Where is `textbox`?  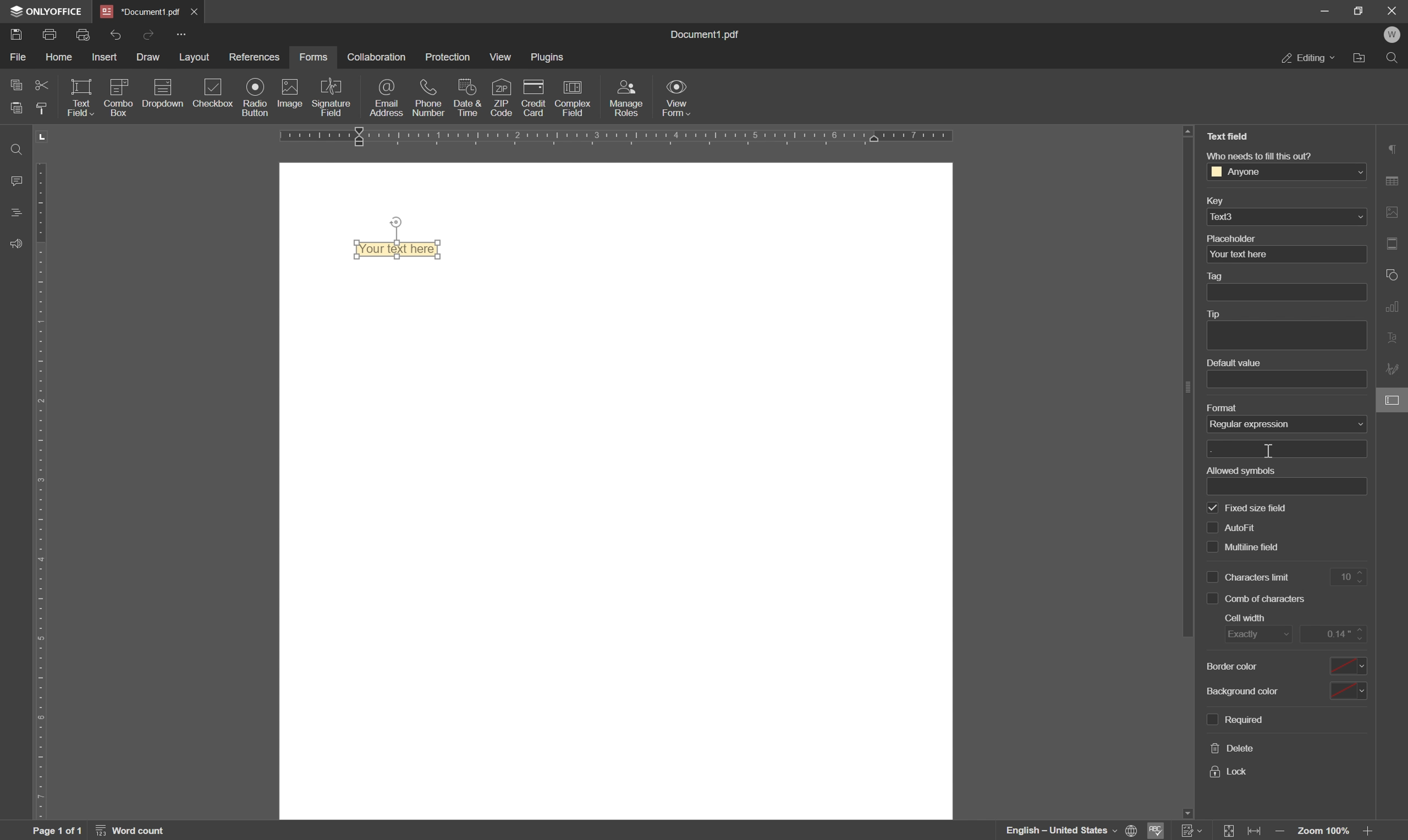
textbox is located at coordinates (1288, 449).